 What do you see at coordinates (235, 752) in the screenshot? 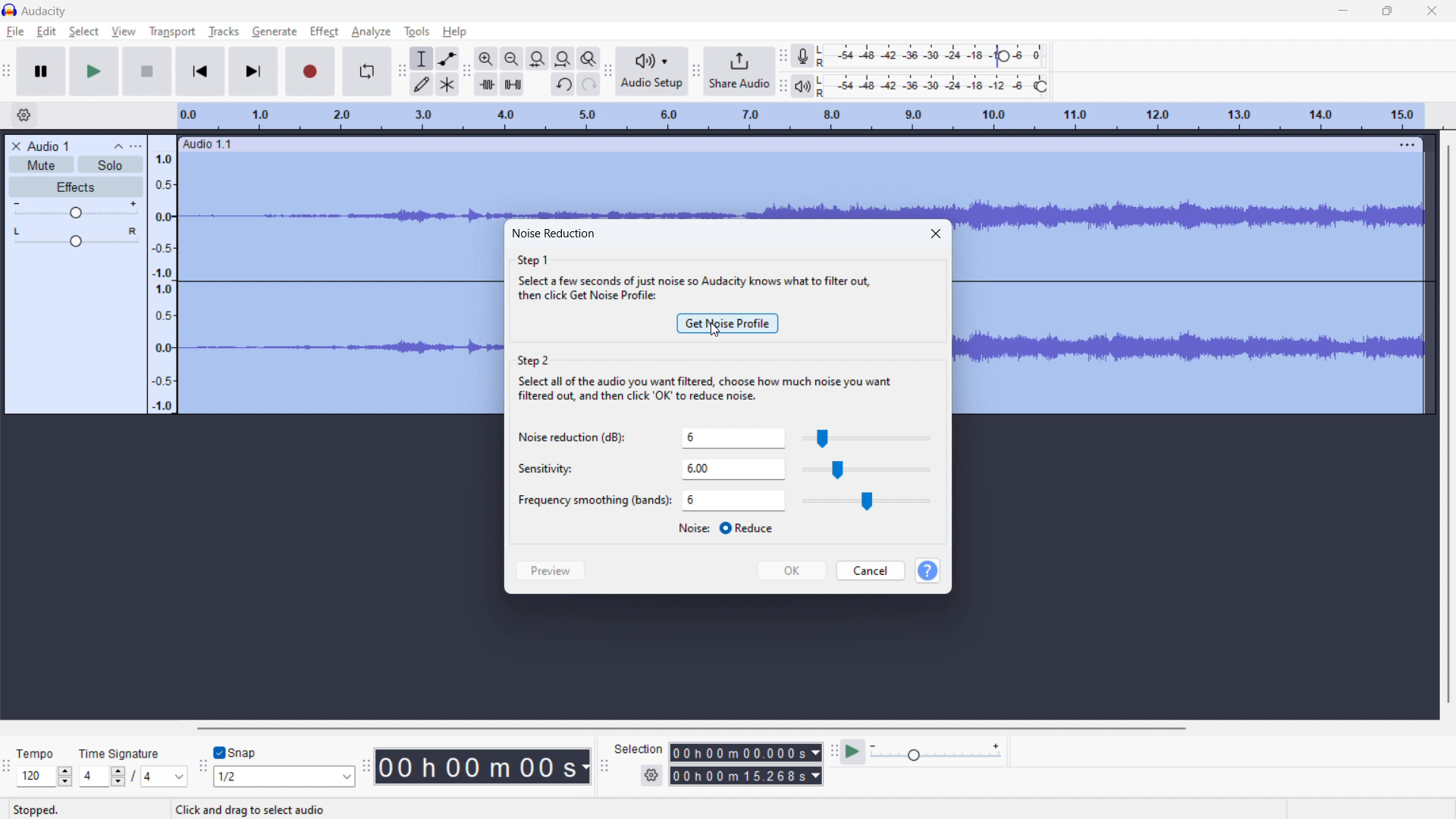
I see `toggle snap` at bounding box center [235, 752].